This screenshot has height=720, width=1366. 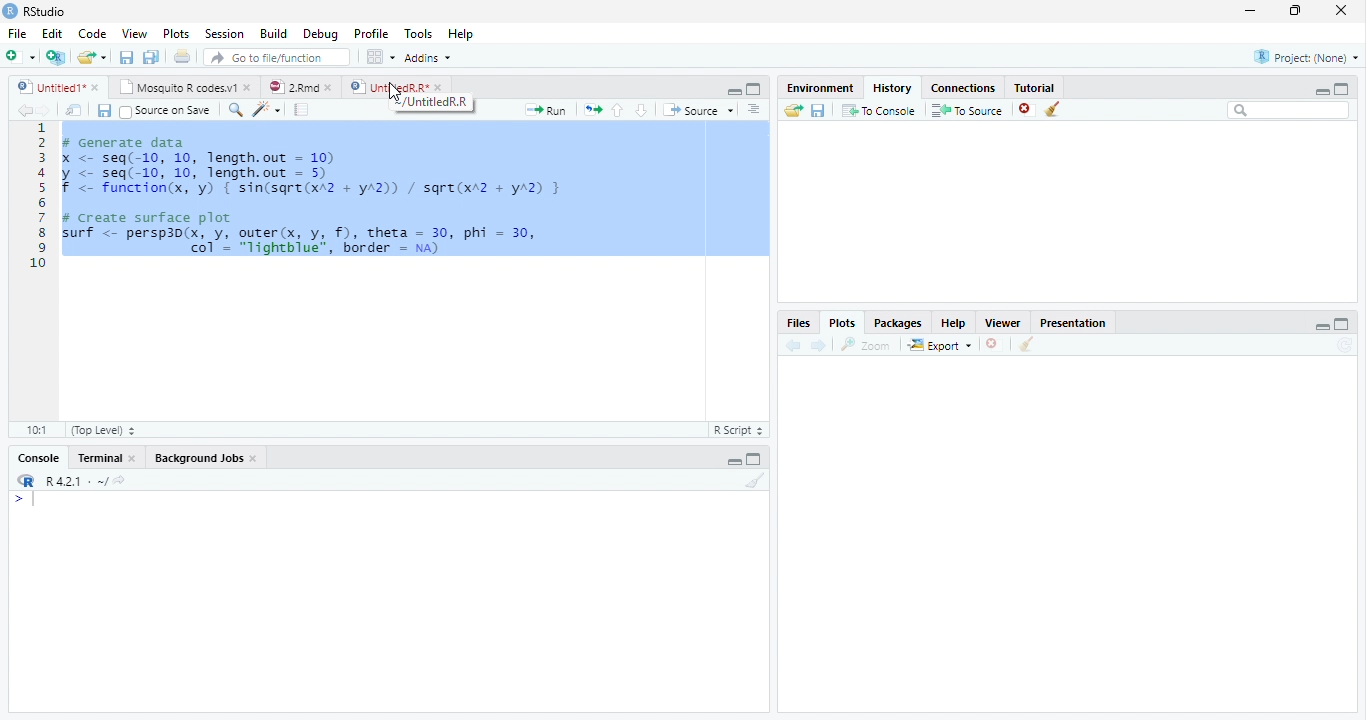 What do you see at coordinates (940, 345) in the screenshot?
I see `Export` at bounding box center [940, 345].